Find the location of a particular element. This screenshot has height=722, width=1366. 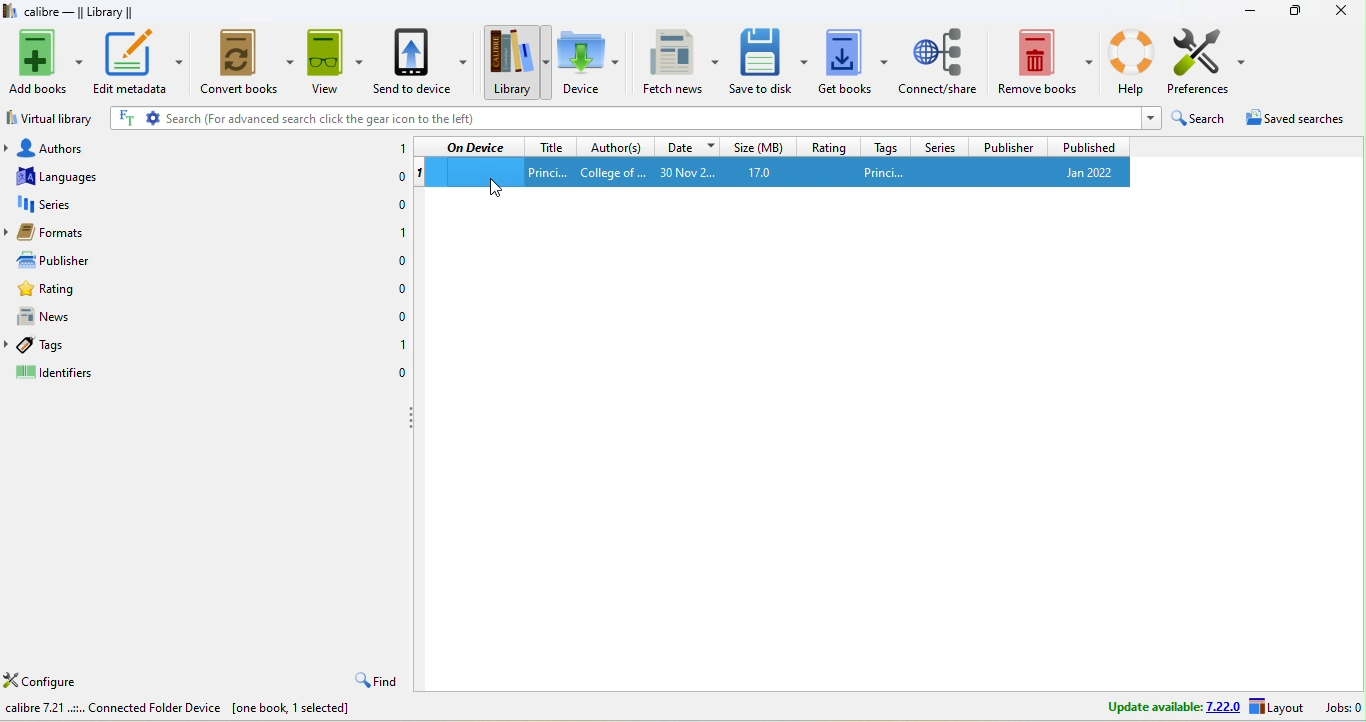

drag to collapse is located at coordinates (414, 420).